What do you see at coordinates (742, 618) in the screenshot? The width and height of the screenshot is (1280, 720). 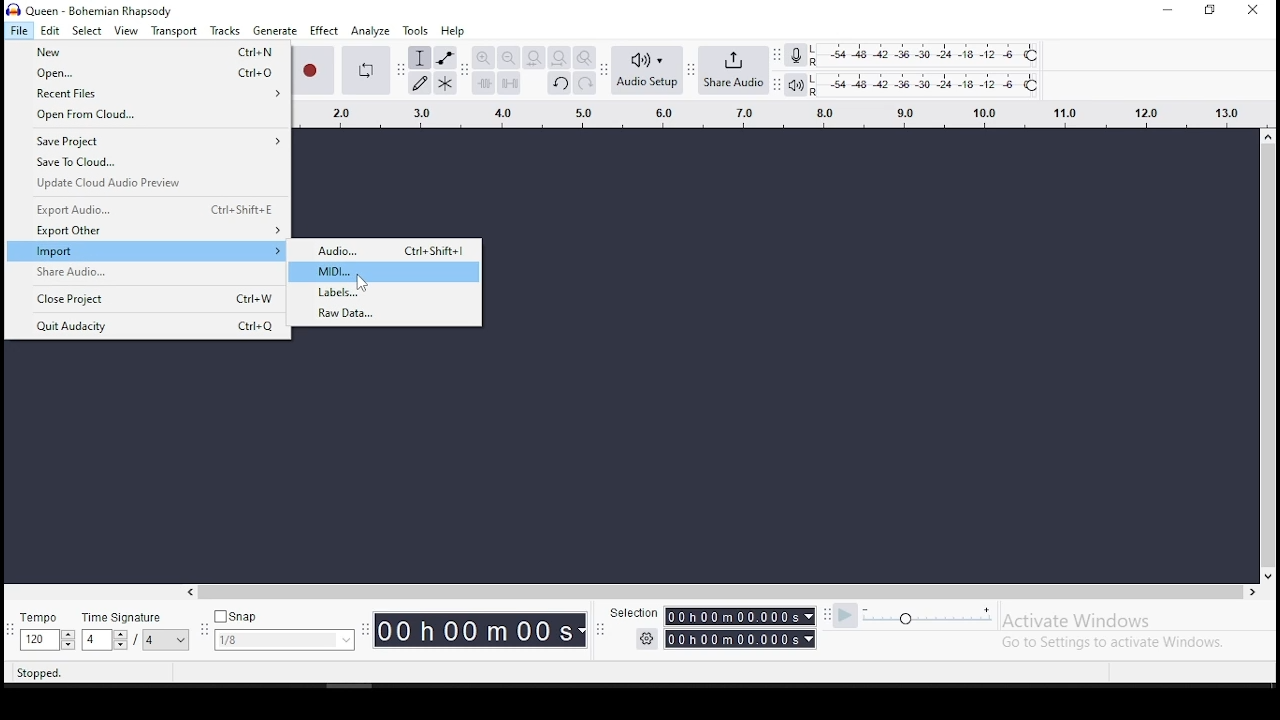 I see `00h00m00s` at bounding box center [742, 618].